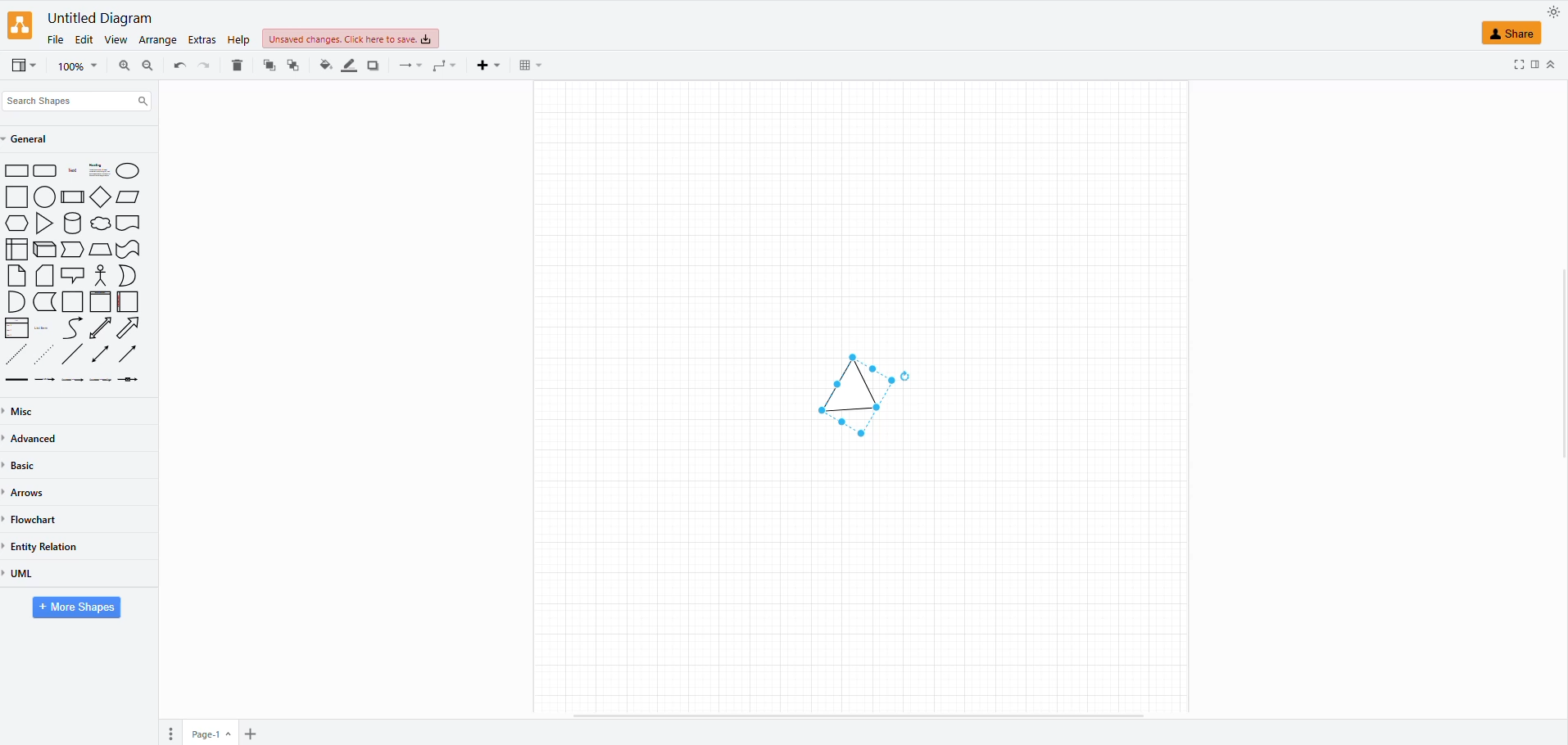  I want to click on Box with borders, so click(74, 196).